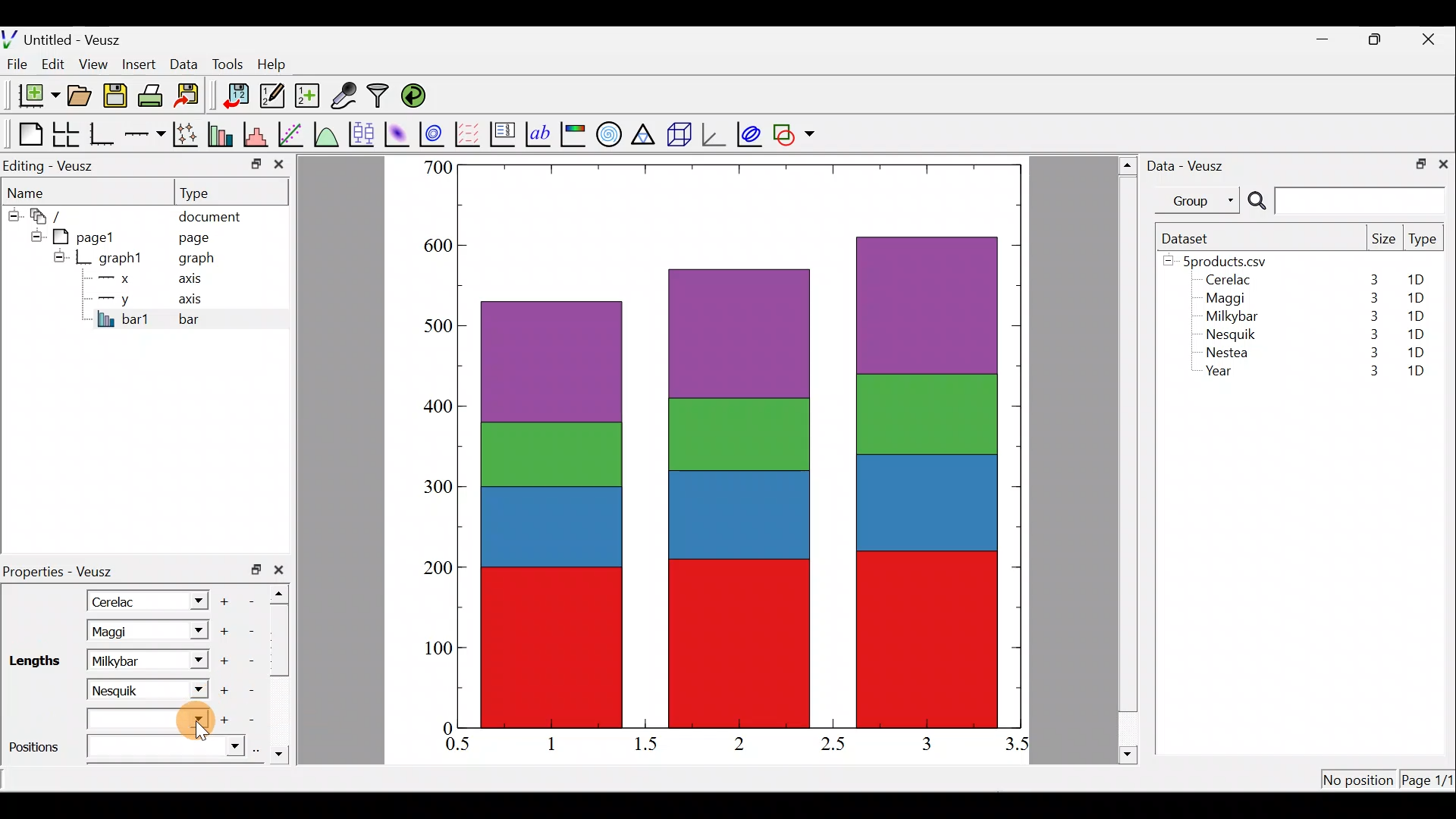  Describe the element at coordinates (1200, 199) in the screenshot. I see `Group` at that location.